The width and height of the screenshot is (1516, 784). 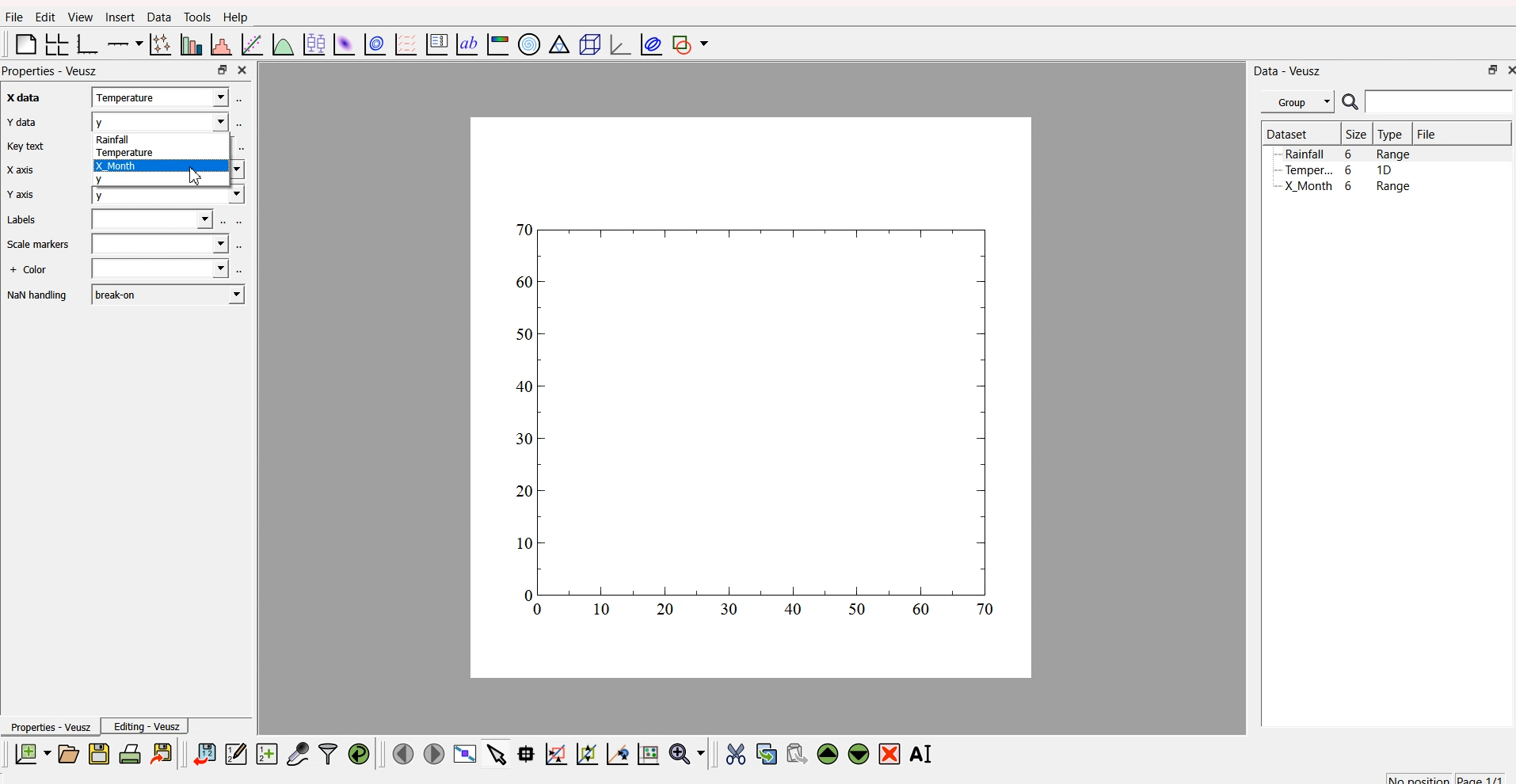 What do you see at coordinates (796, 753) in the screenshot?
I see `paste the widget from the clipboard` at bounding box center [796, 753].